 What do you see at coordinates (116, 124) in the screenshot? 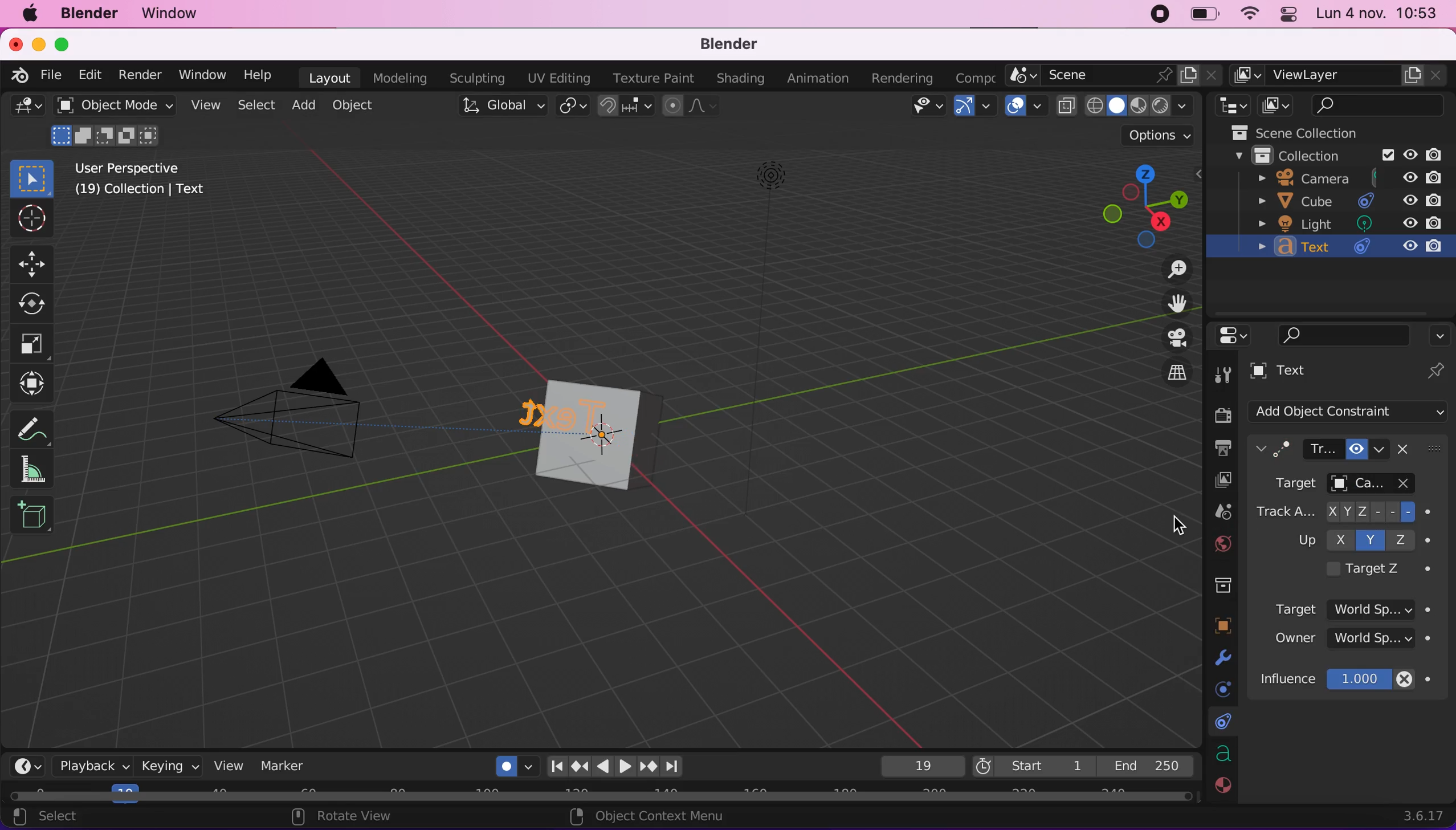
I see `object mode` at bounding box center [116, 124].